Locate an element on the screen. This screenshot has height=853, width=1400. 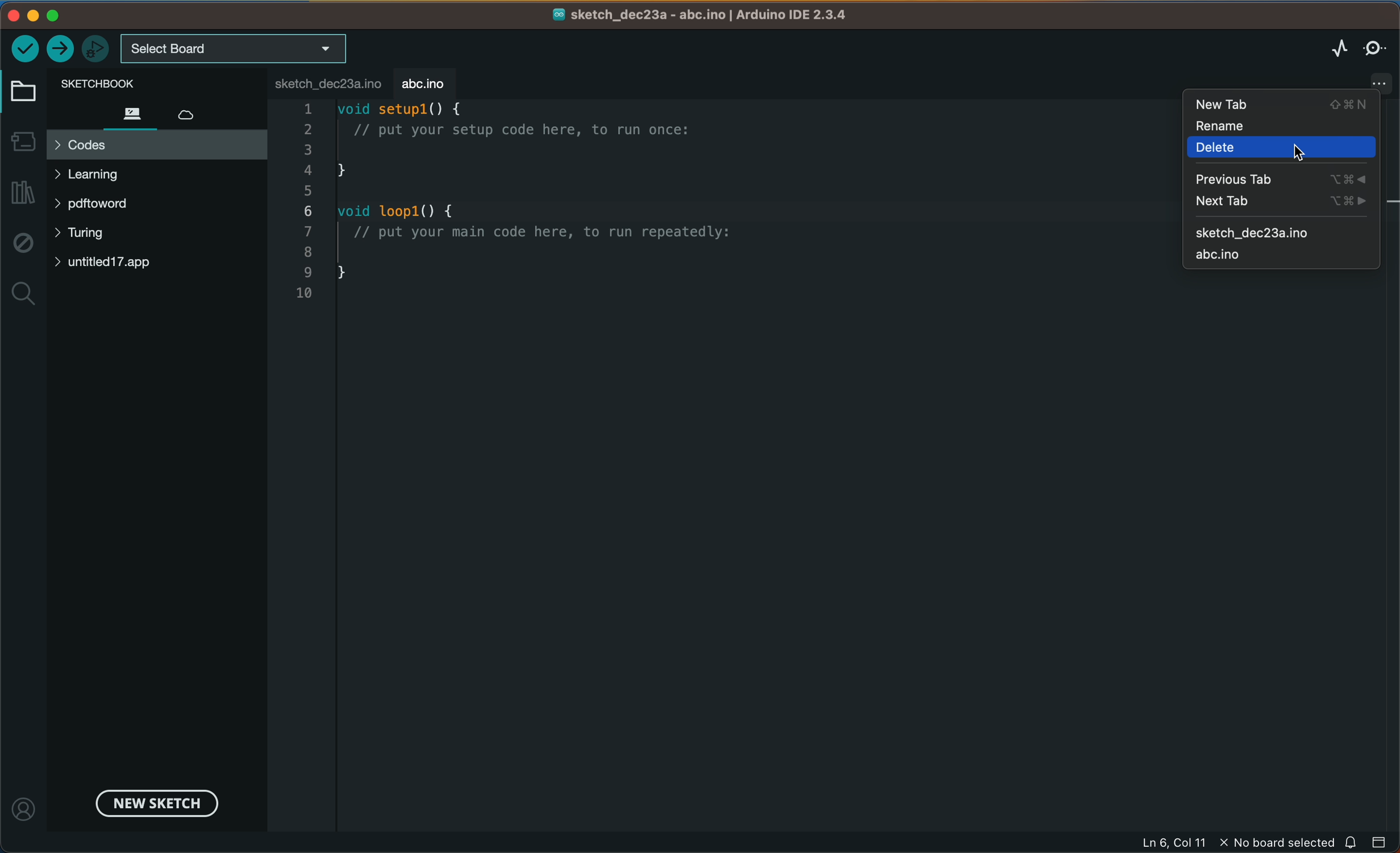
abc is located at coordinates (427, 81).